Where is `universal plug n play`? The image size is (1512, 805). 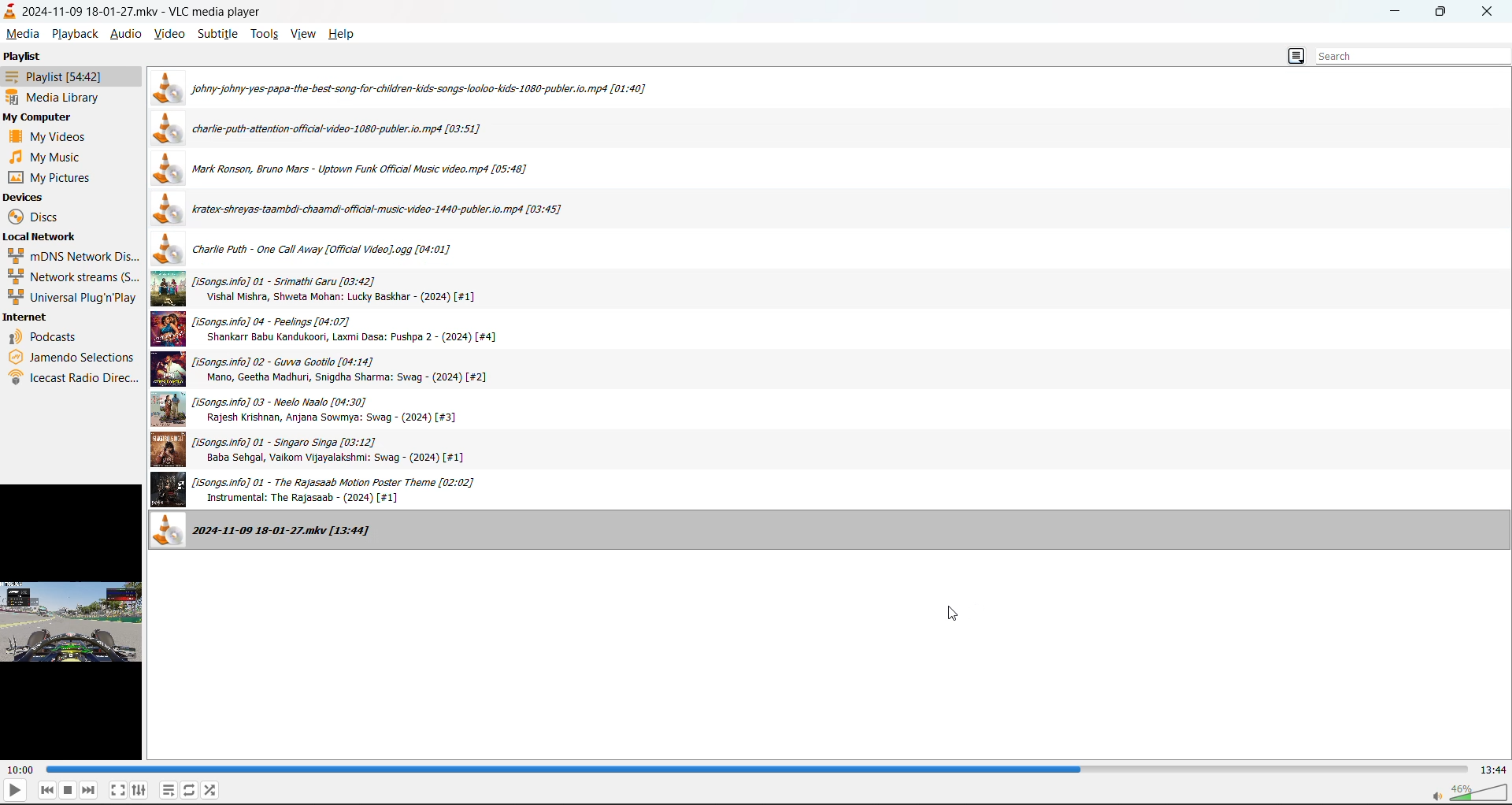
universal plug n play is located at coordinates (72, 297).